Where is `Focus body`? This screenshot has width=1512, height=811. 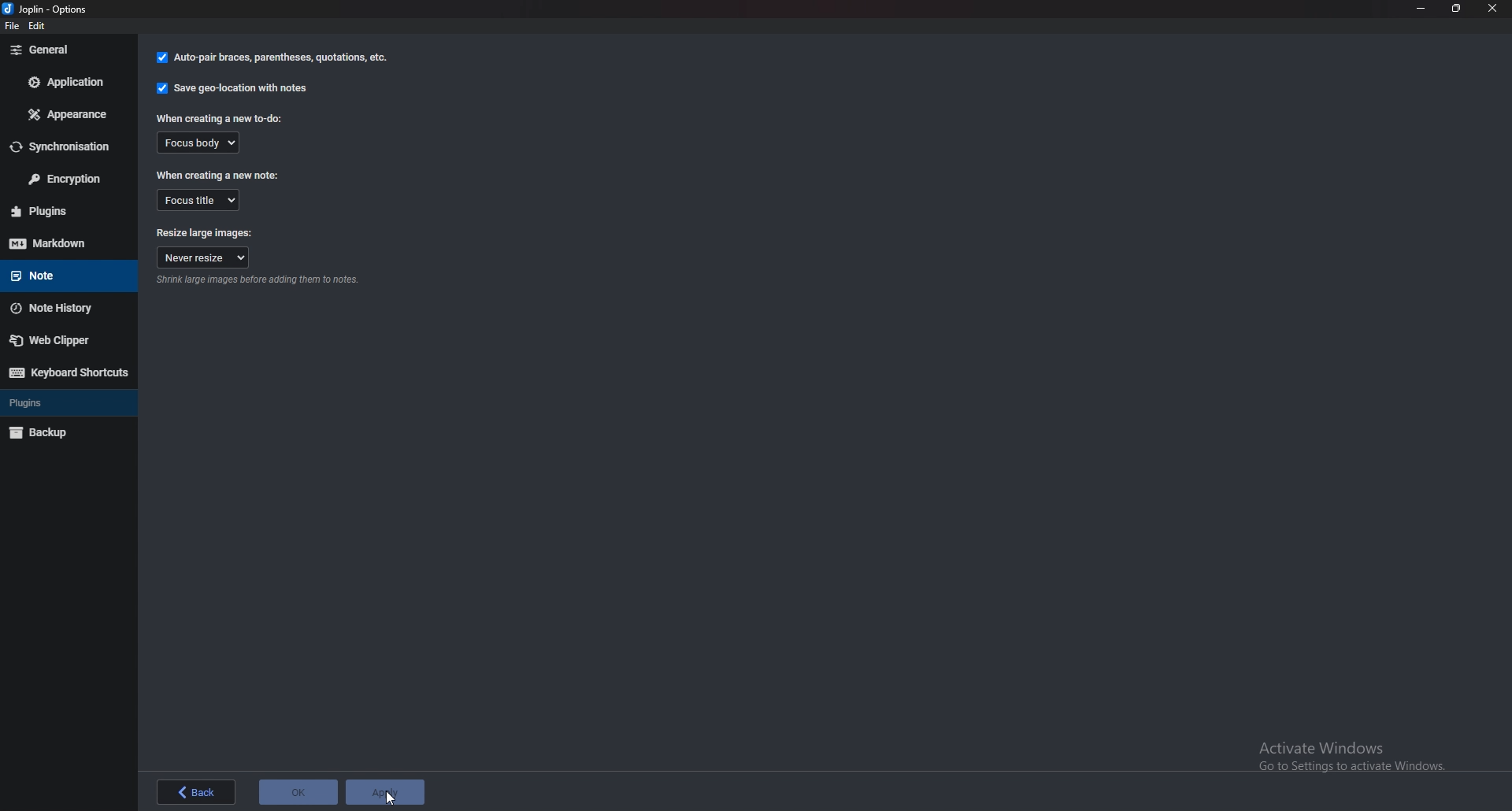
Focus body is located at coordinates (197, 142).